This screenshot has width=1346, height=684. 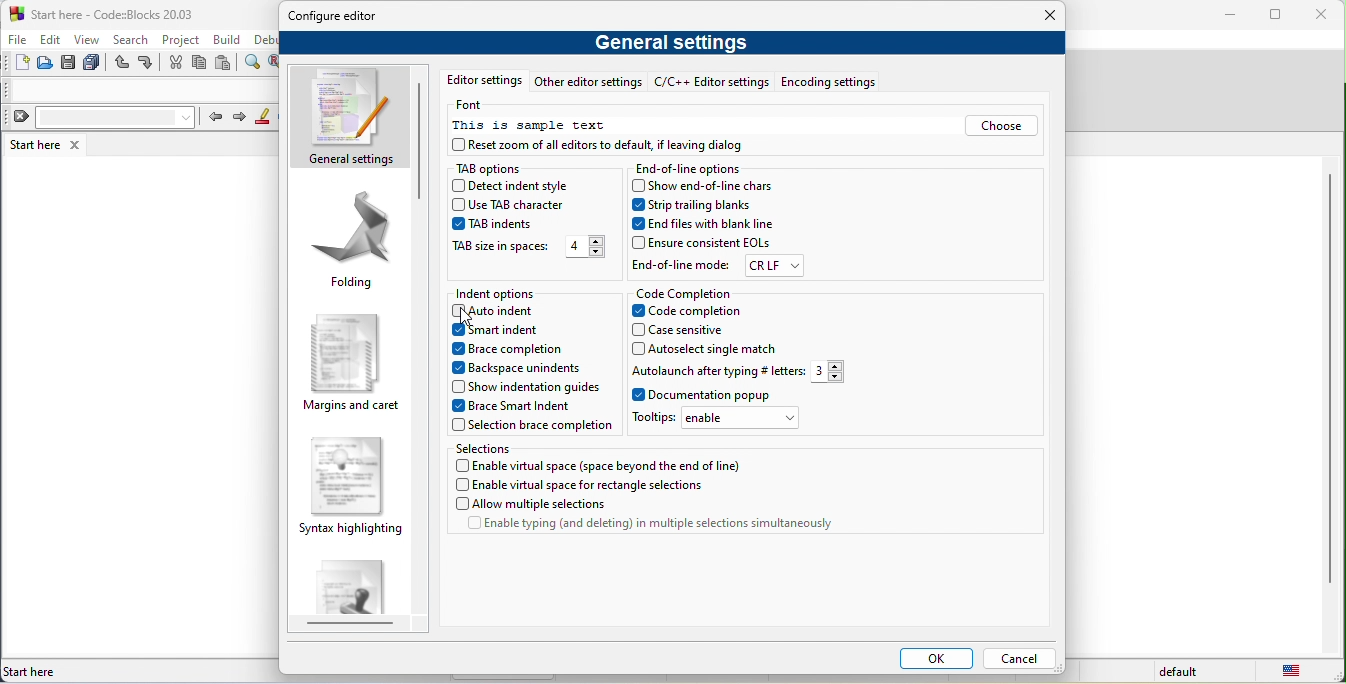 What do you see at coordinates (276, 67) in the screenshot?
I see `replace` at bounding box center [276, 67].